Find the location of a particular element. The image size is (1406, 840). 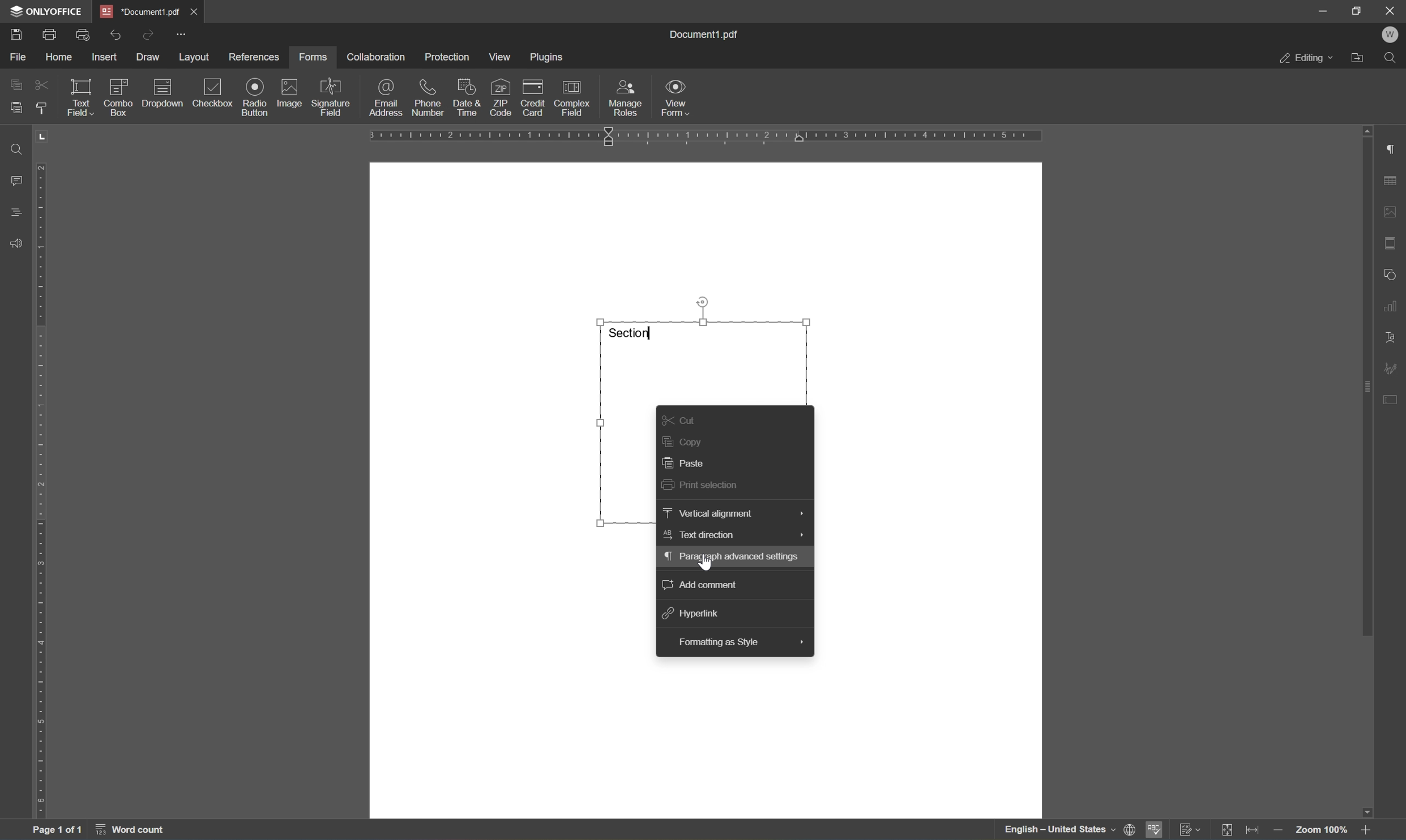

layout is located at coordinates (194, 57).